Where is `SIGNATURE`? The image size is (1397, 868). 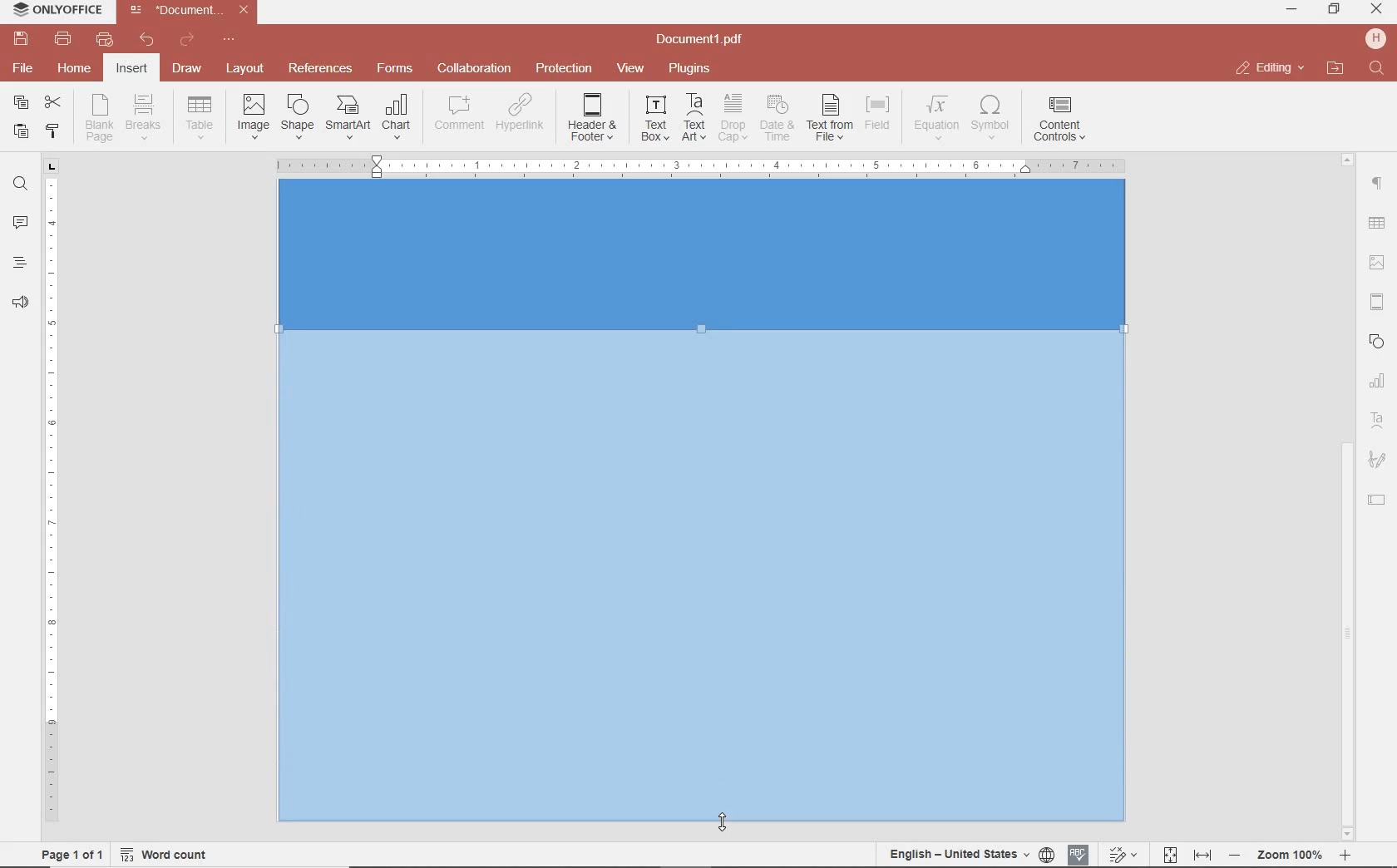
SIGNATURE is located at coordinates (1377, 461).